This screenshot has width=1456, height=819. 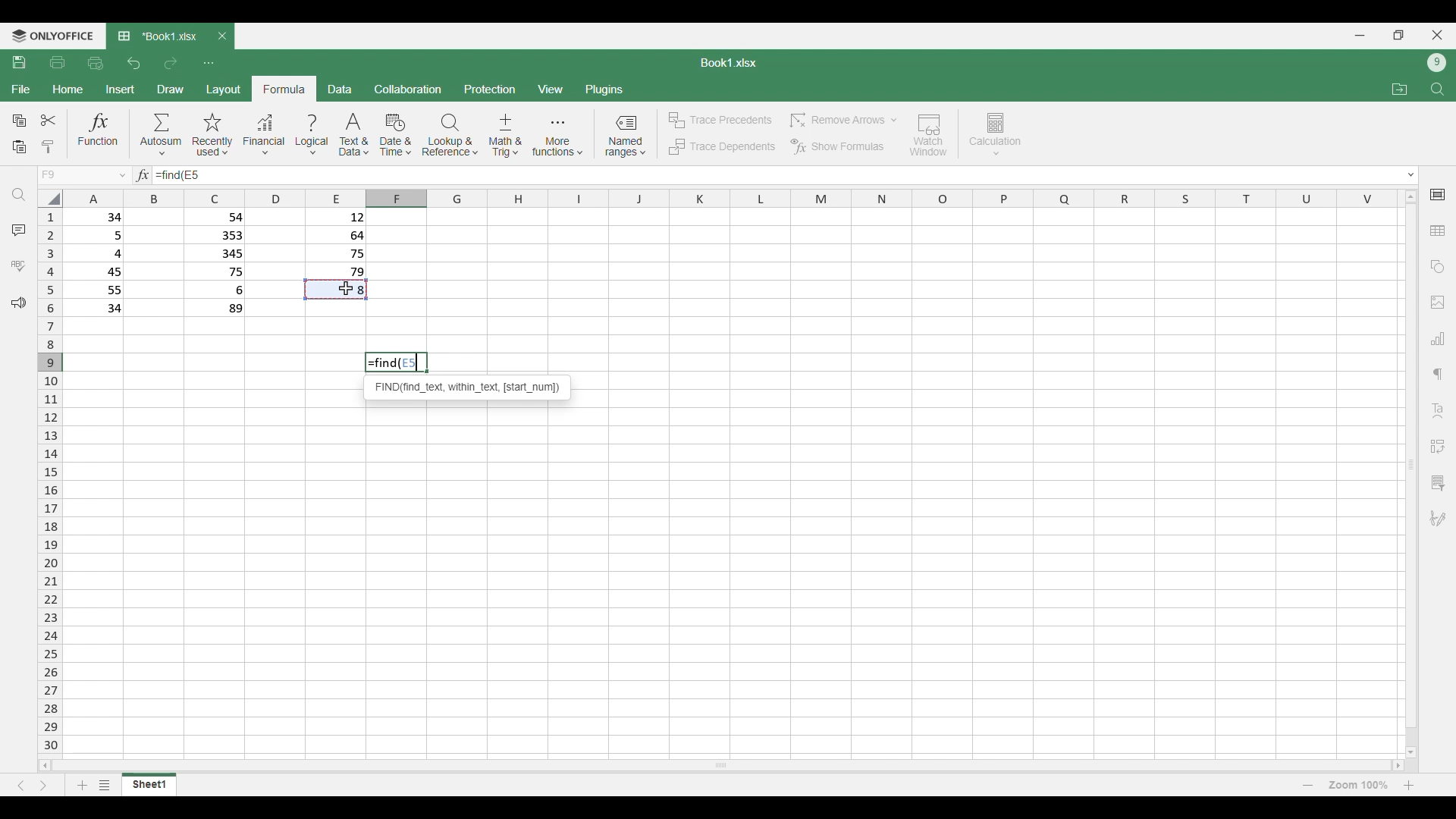 What do you see at coordinates (50, 479) in the screenshot?
I see `Indicates rows` at bounding box center [50, 479].